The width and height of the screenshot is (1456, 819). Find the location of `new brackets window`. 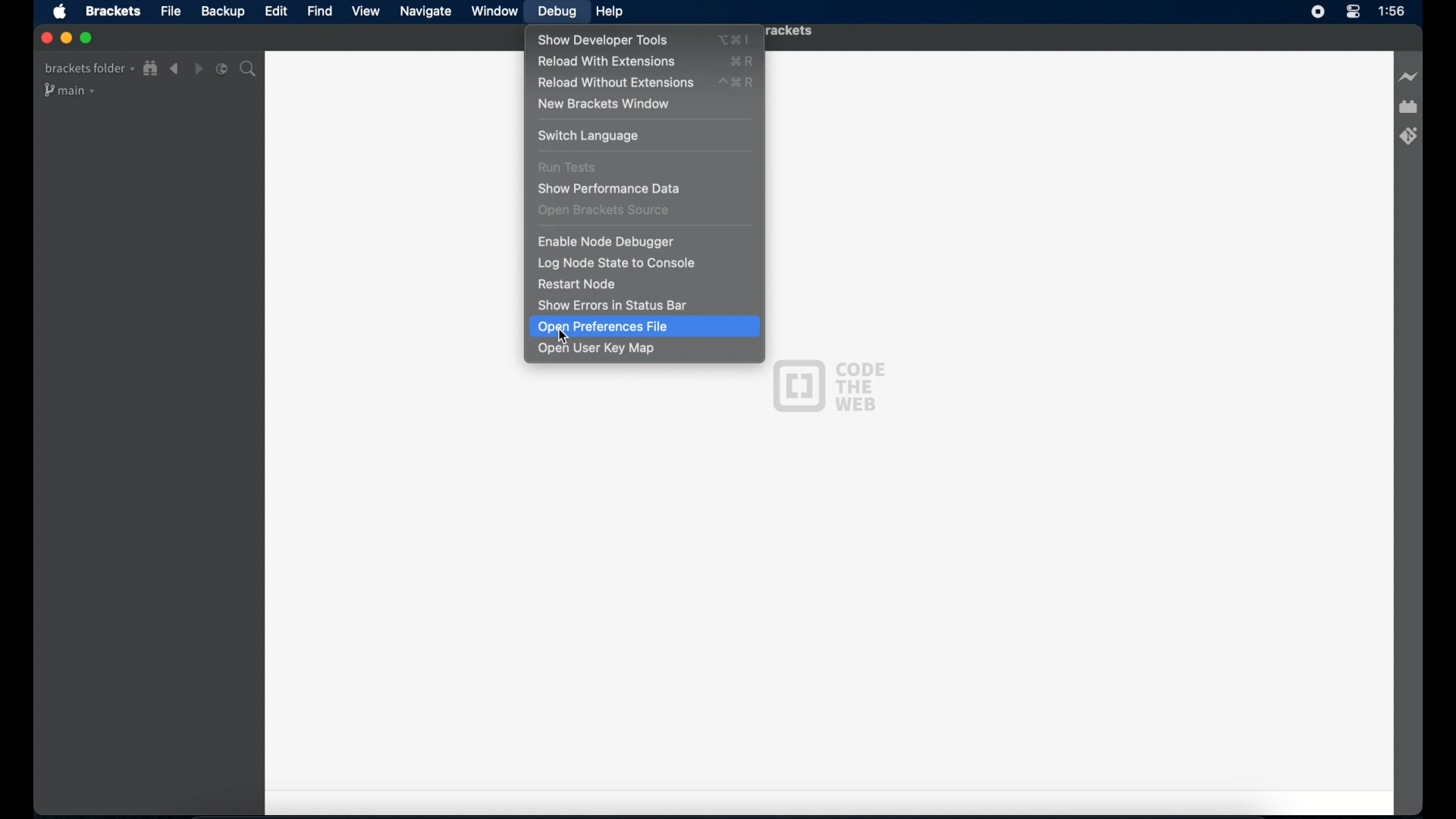

new brackets window is located at coordinates (604, 105).